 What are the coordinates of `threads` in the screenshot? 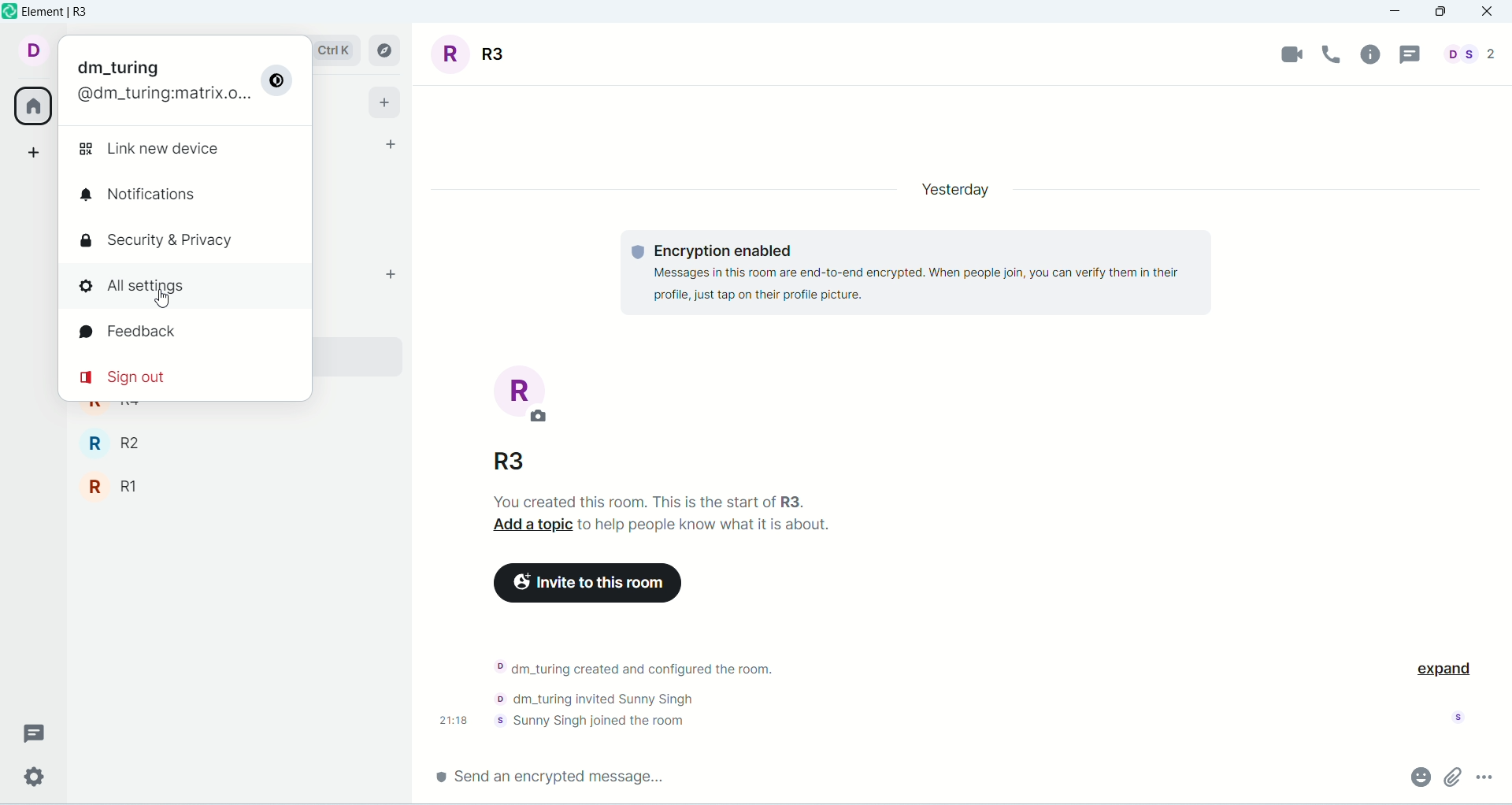 It's located at (1407, 55).